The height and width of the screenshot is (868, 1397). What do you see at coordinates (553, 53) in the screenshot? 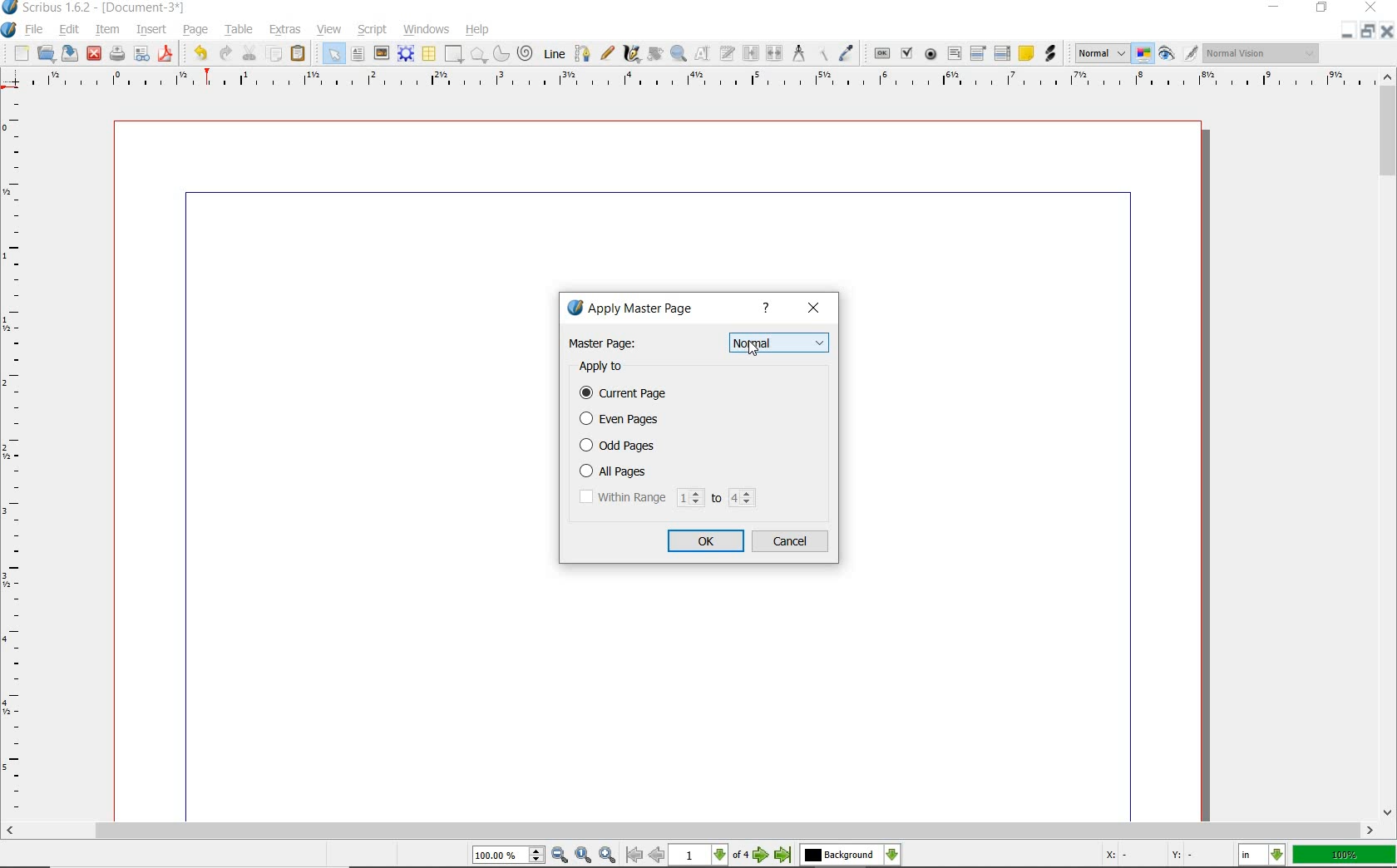
I see `line` at bounding box center [553, 53].